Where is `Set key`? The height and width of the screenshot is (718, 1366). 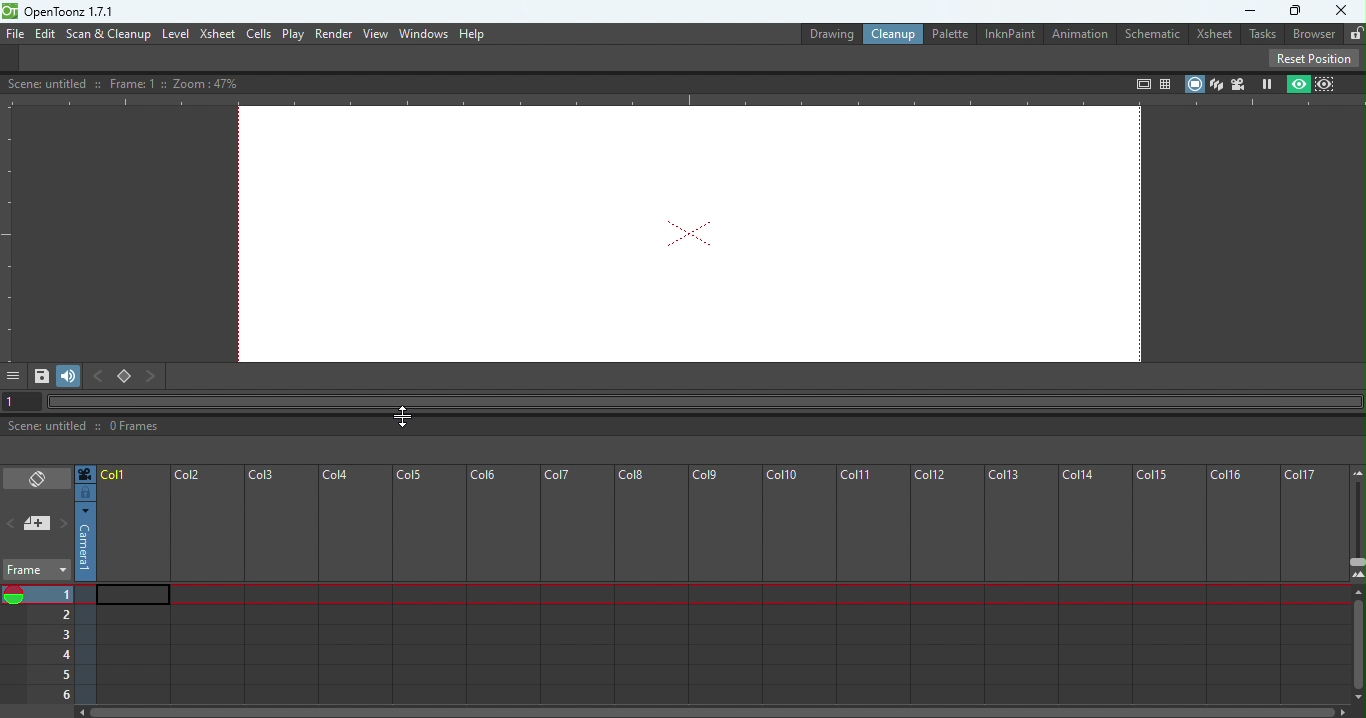
Set key is located at coordinates (123, 377).